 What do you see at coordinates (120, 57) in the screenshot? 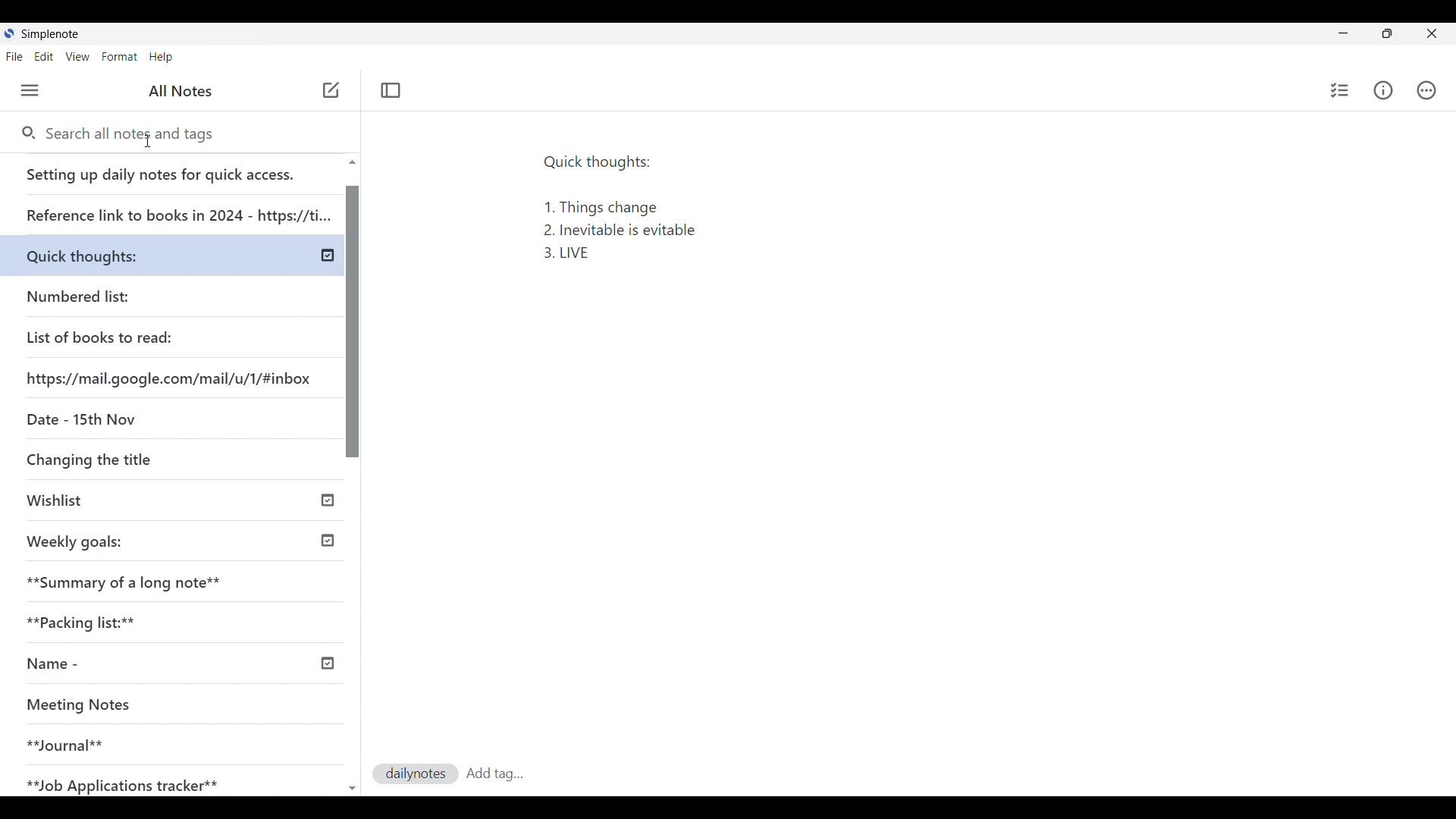
I see `Format menu` at bounding box center [120, 57].